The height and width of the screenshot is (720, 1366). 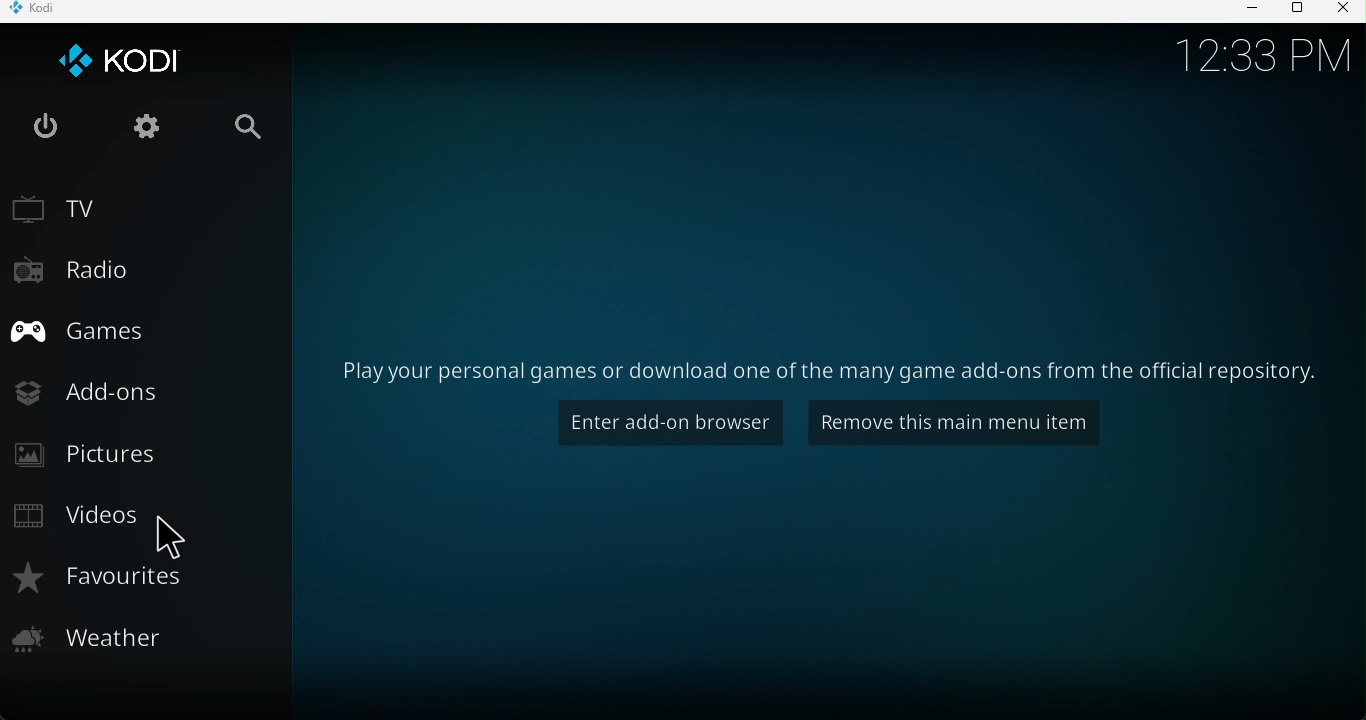 What do you see at coordinates (818, 369) in the screenshot?
I see `Play your games from  personal reopsitory ` at bounding box center [818, 369].